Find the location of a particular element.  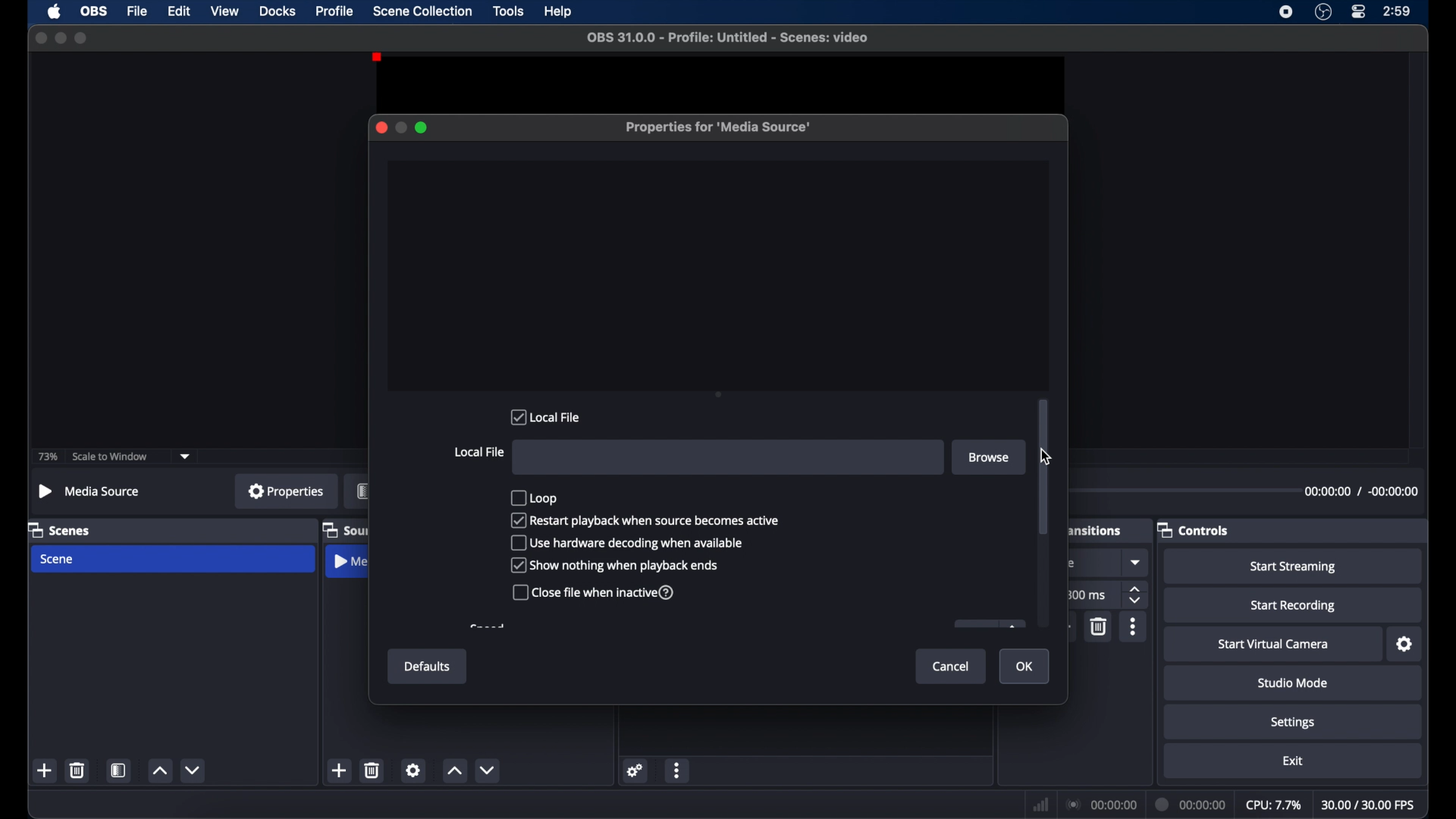

browse is located at coordinates (988, 457).